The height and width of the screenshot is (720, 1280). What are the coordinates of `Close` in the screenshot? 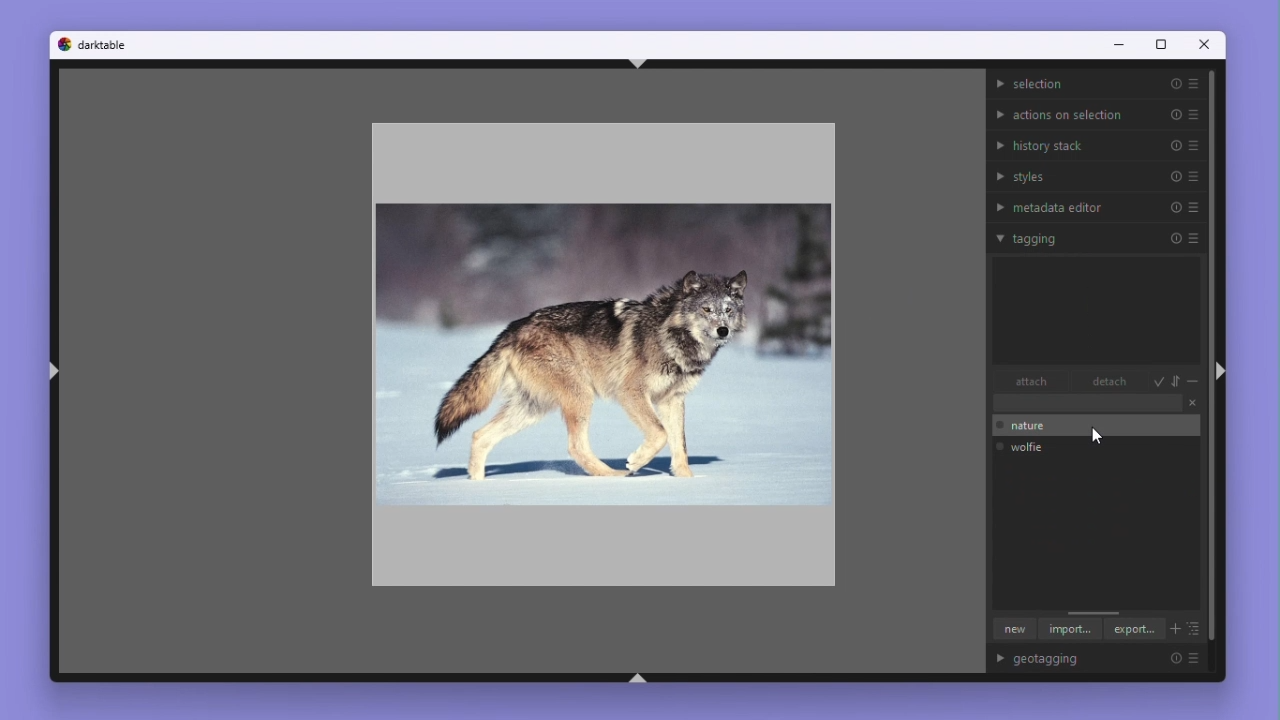 It's located at (1192, 405).